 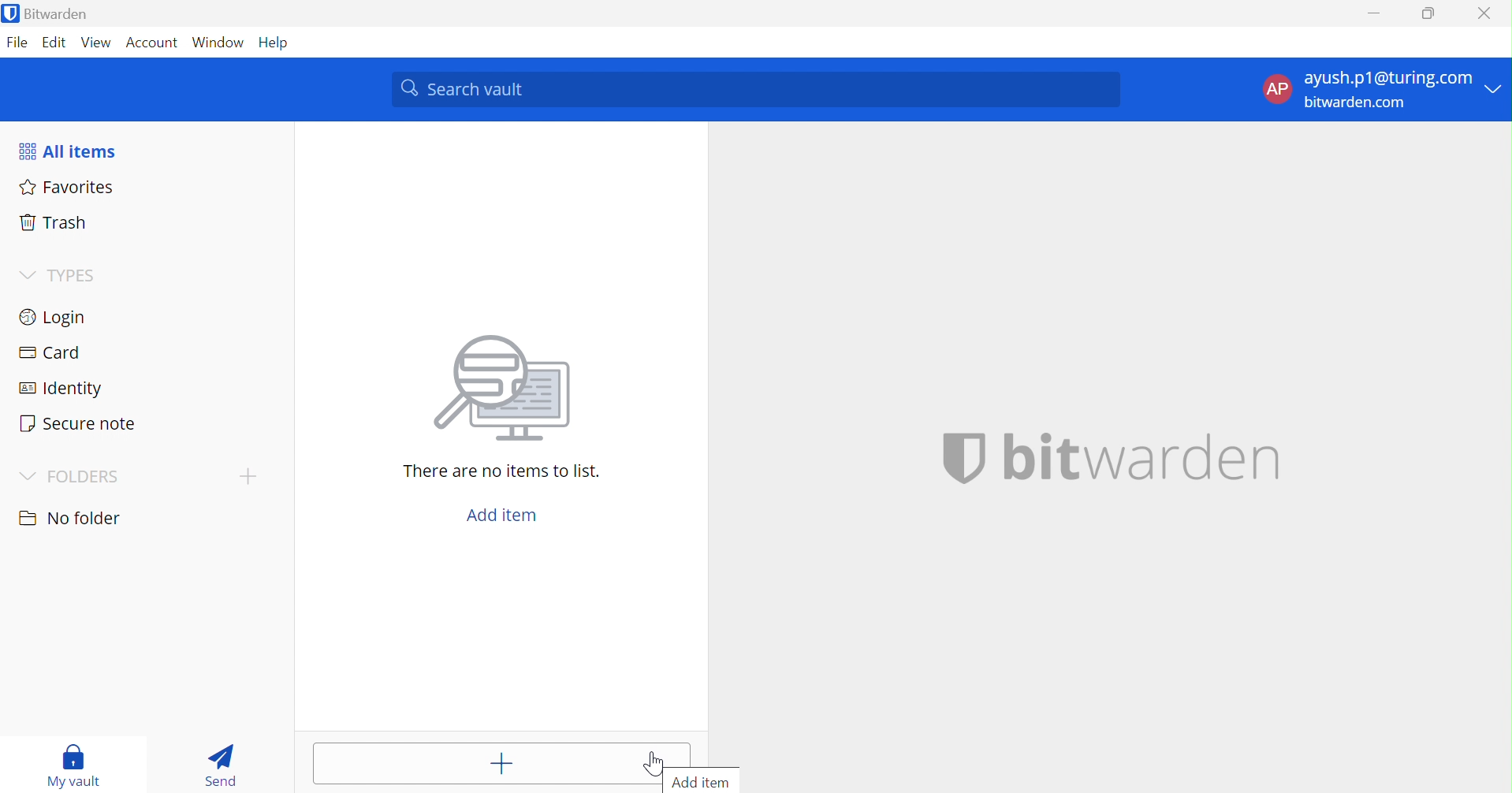 What do you see at coordinates (754, 88) in the screenshot?
I see `Search vault` at bounding box center [754, 88].